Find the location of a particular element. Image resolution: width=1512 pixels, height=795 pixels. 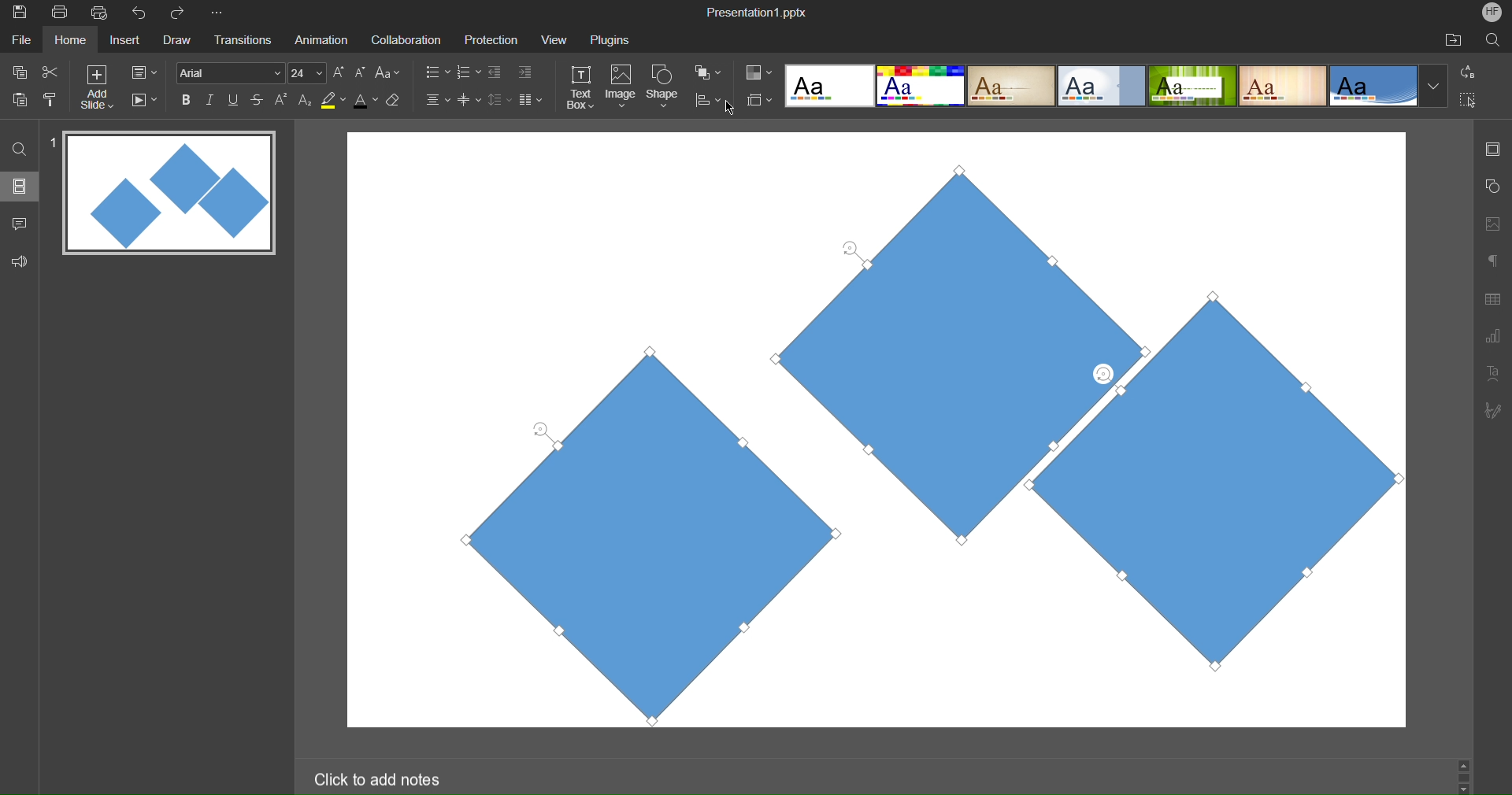

Animation is located at coordinates (320, 39).